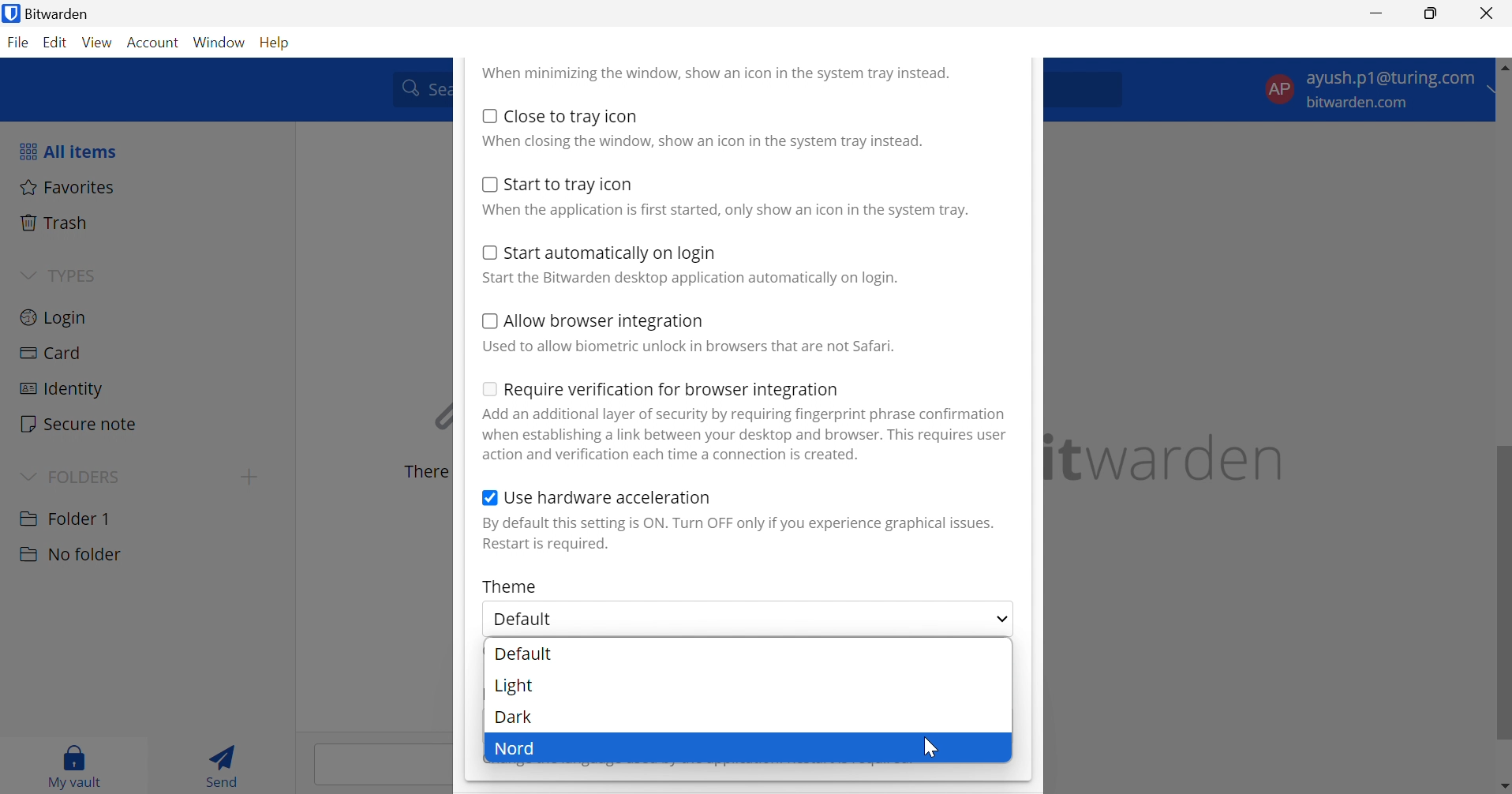 This screenshot has height=794, width=1512. I want to click on Add folder, so click(249, 477).